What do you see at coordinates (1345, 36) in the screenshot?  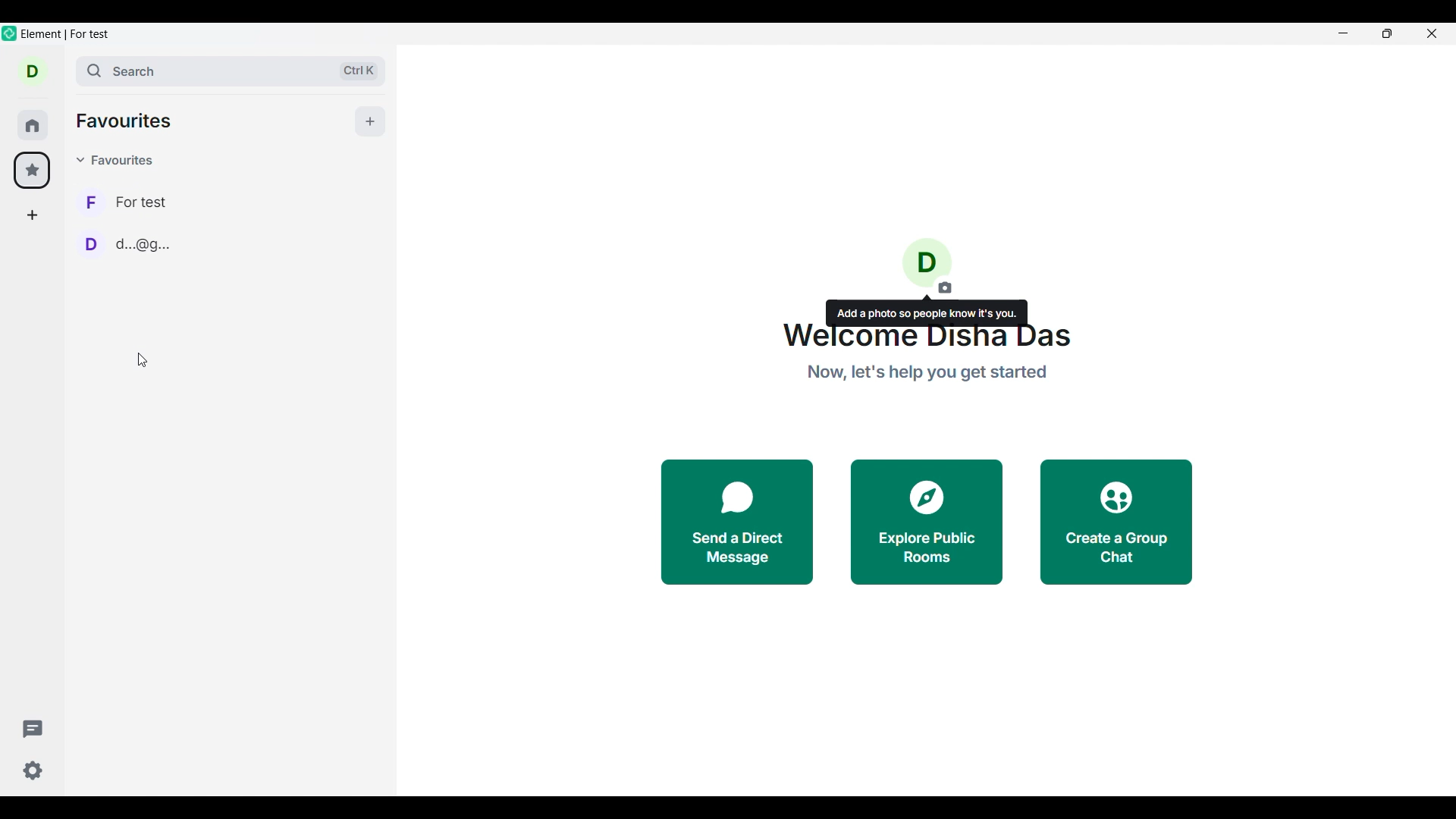 I see `Minimize` at bounding box center [1345, 36].